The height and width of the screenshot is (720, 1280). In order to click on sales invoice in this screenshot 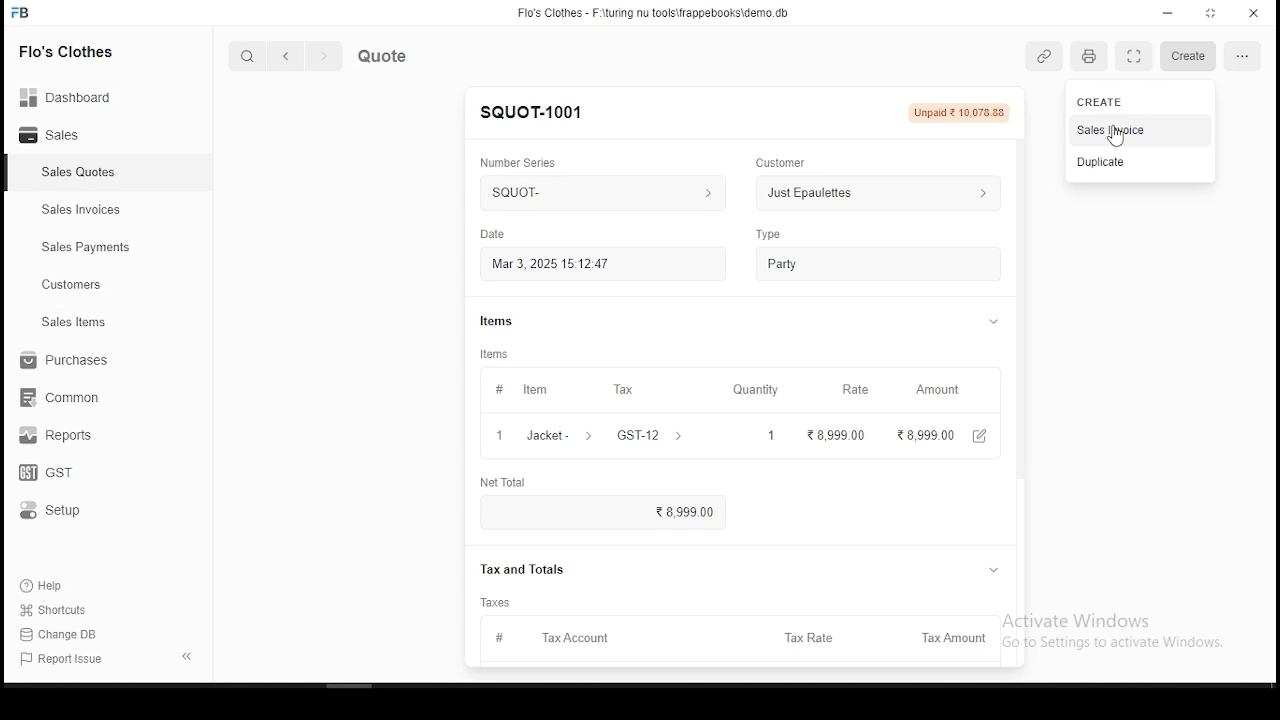, I will do `click(1118, 134)`.